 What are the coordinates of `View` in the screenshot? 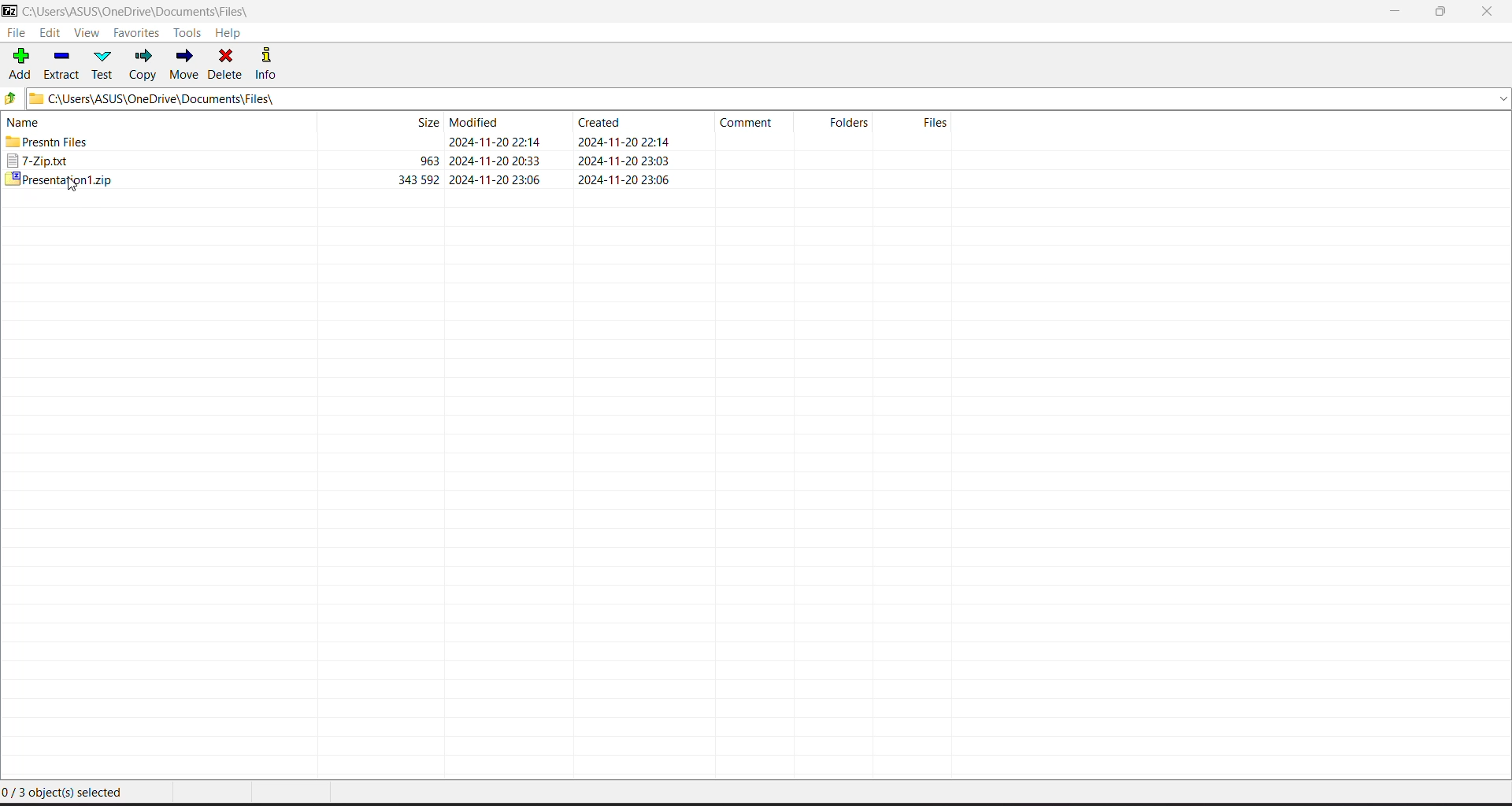 It's located at (87, 34).